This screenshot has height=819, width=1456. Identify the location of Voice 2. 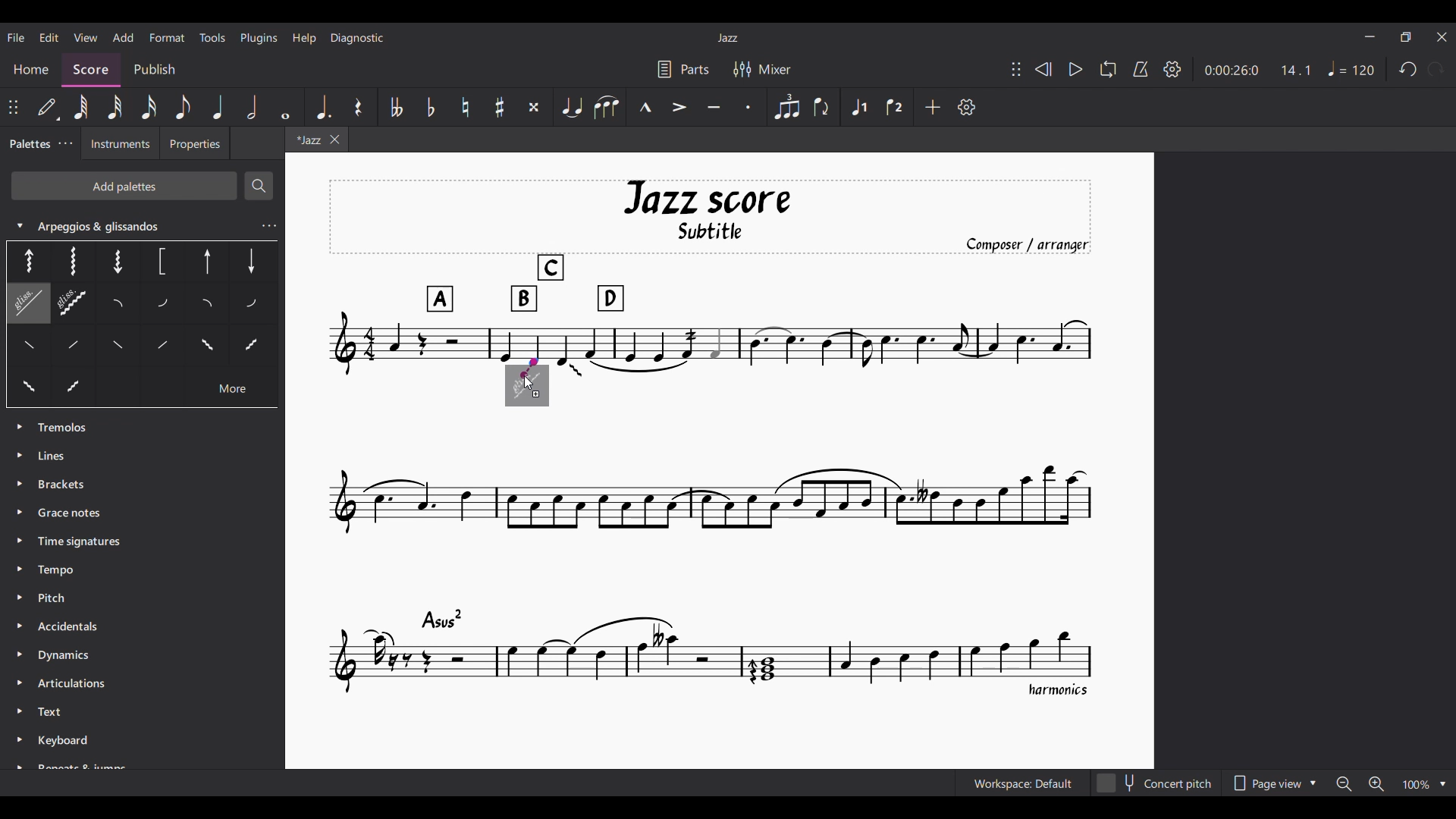
(896, 106).